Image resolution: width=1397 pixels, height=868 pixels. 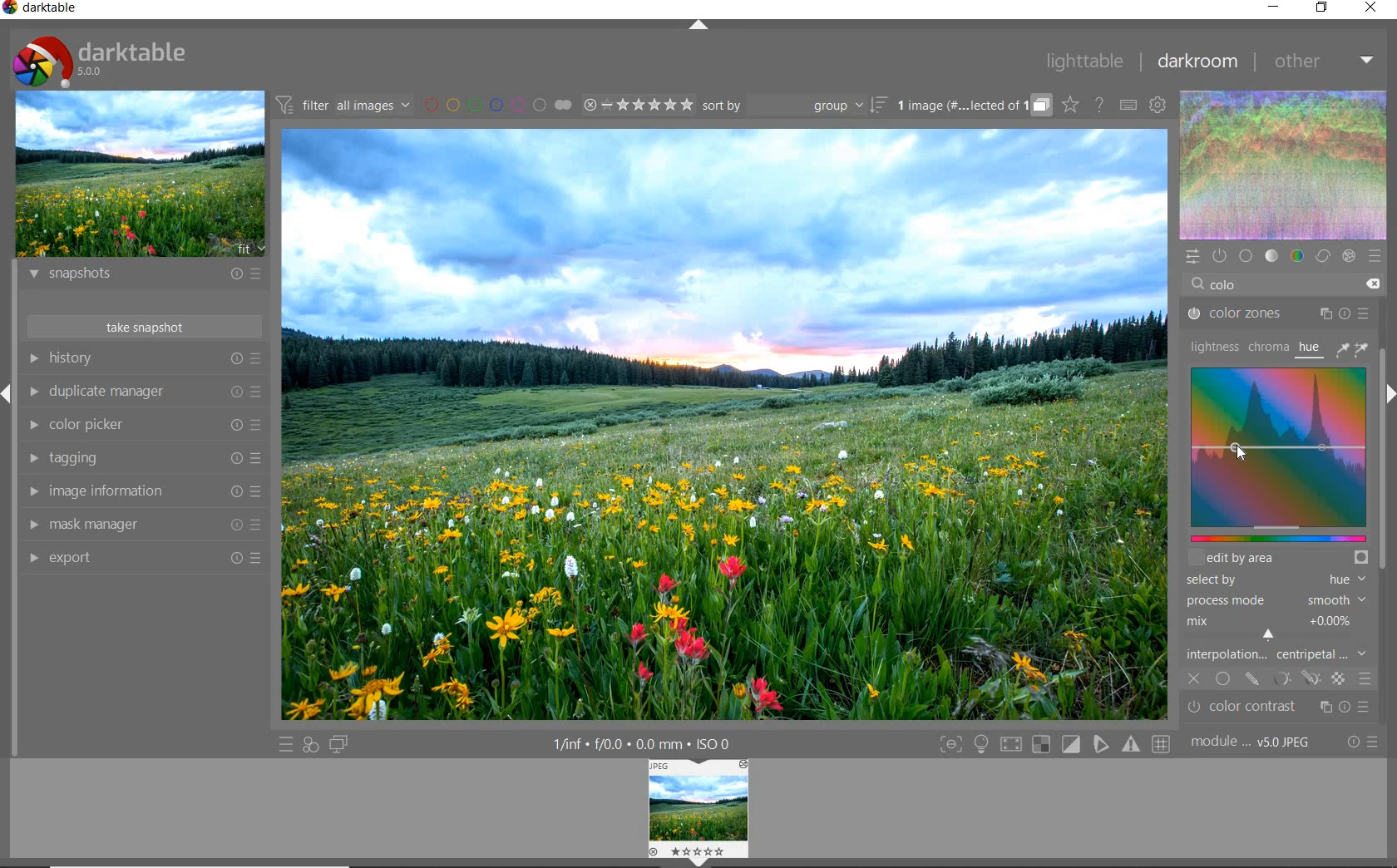 I want to click on scrollbar, so click(x=1382, y=525).